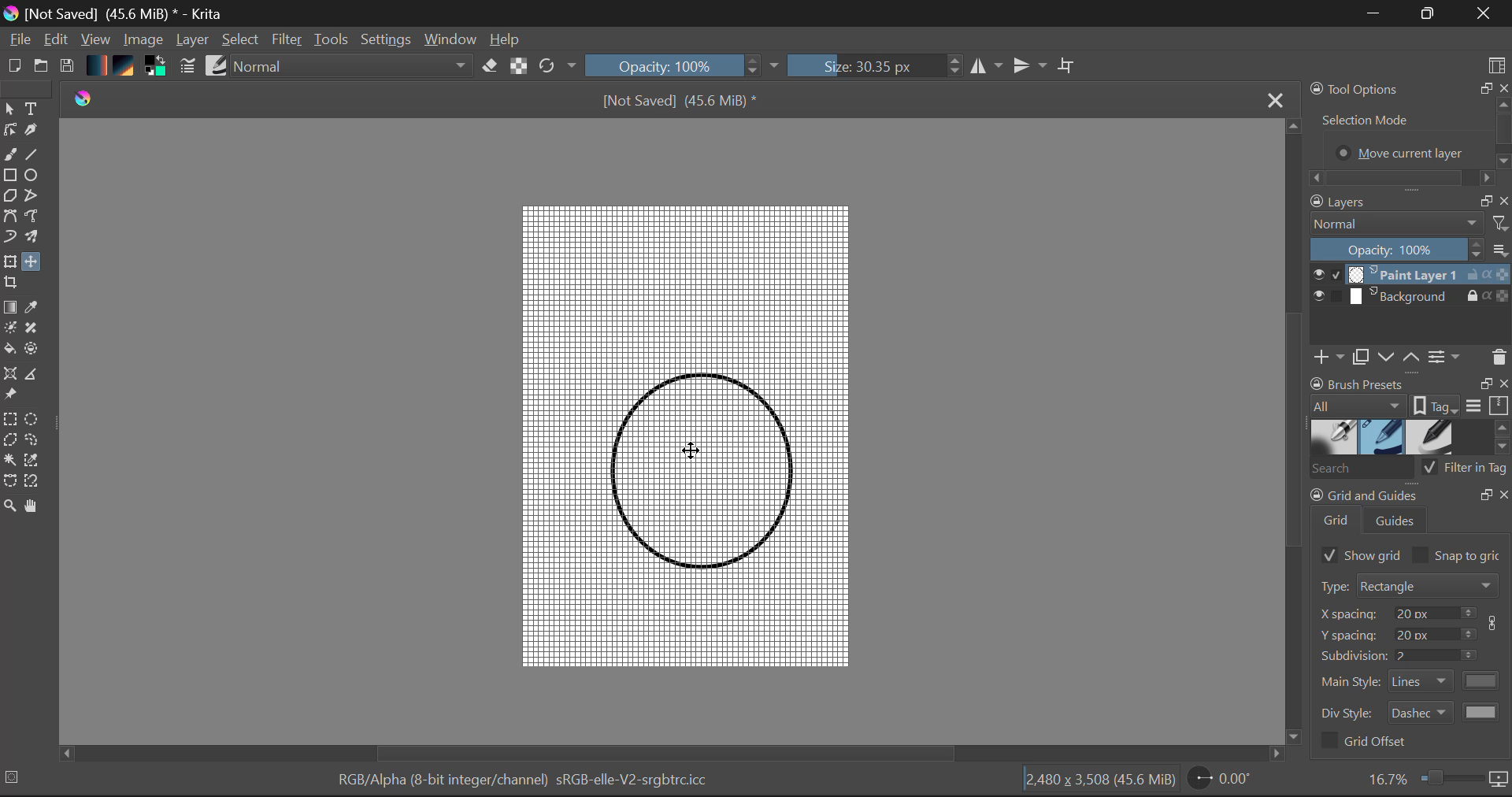 This screenshot has width=1512, height=797. I want to click on Calligraphic Tool, so click(36, 132).